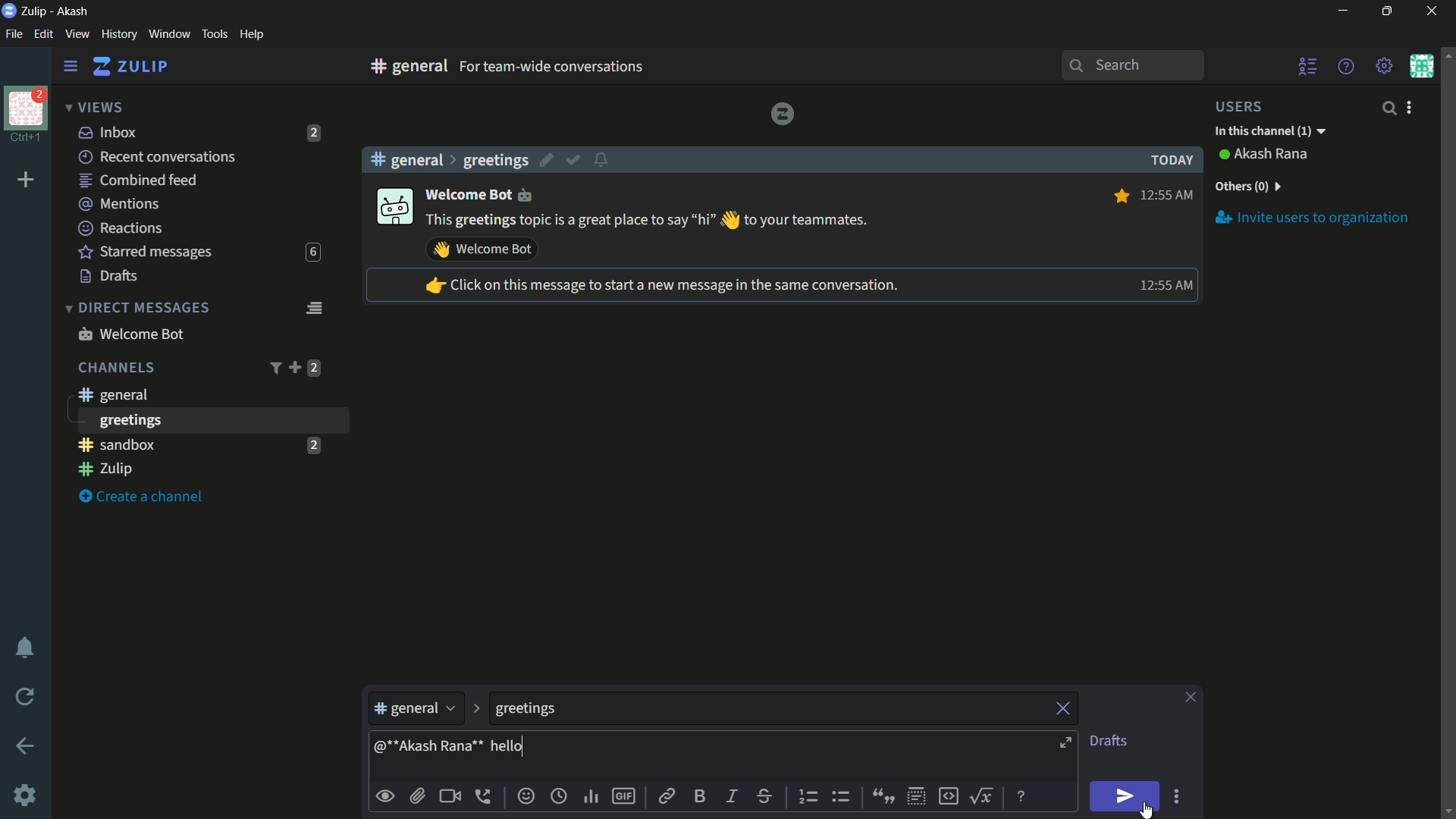 The image size is (1456, 819). I want to click on others (0), so click(1247, 187).